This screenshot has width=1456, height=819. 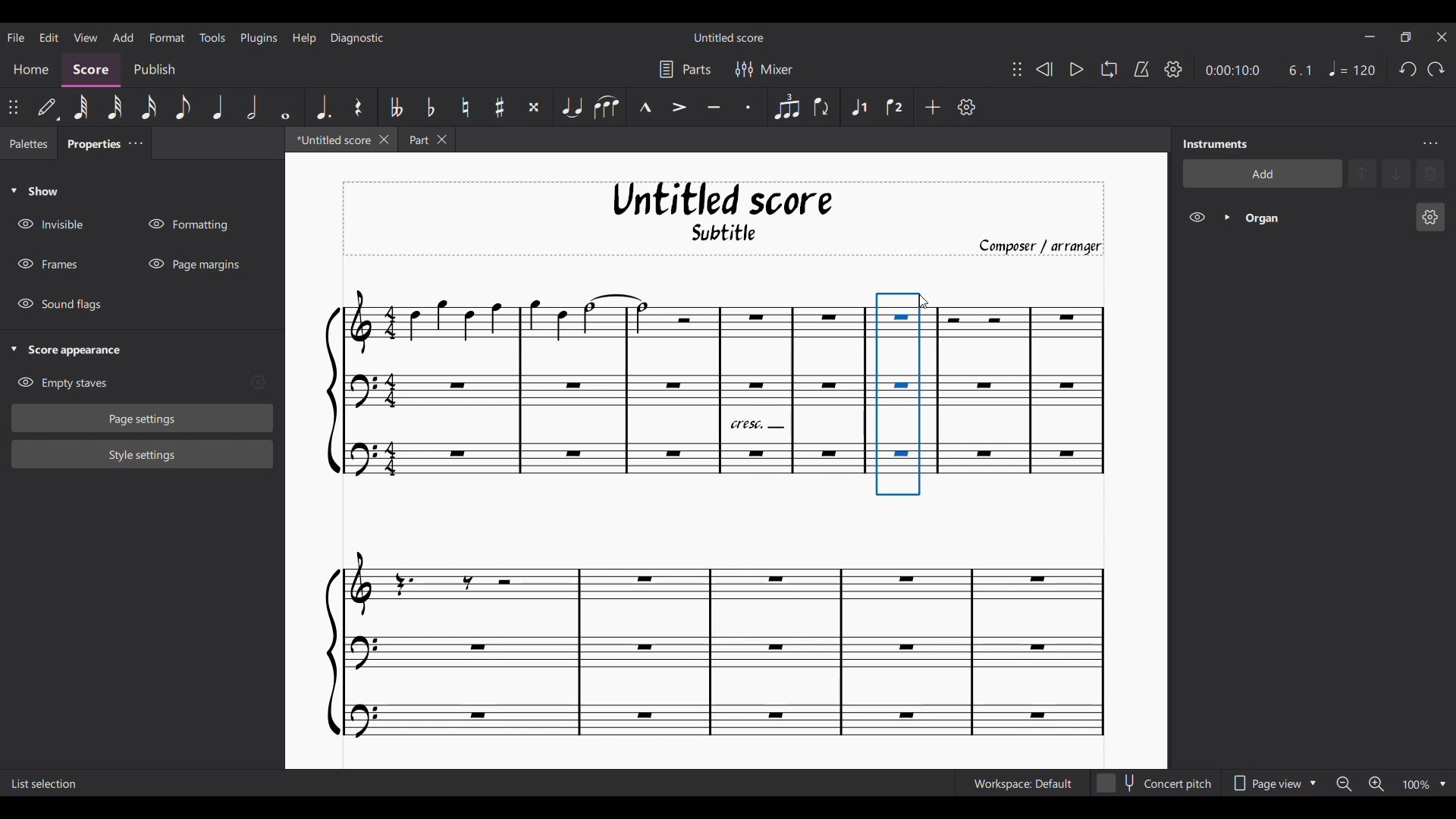 What do you see at coordinates (49, 36) in the screenshot?
I see `Edit menu` at bounding box center [49, 36].